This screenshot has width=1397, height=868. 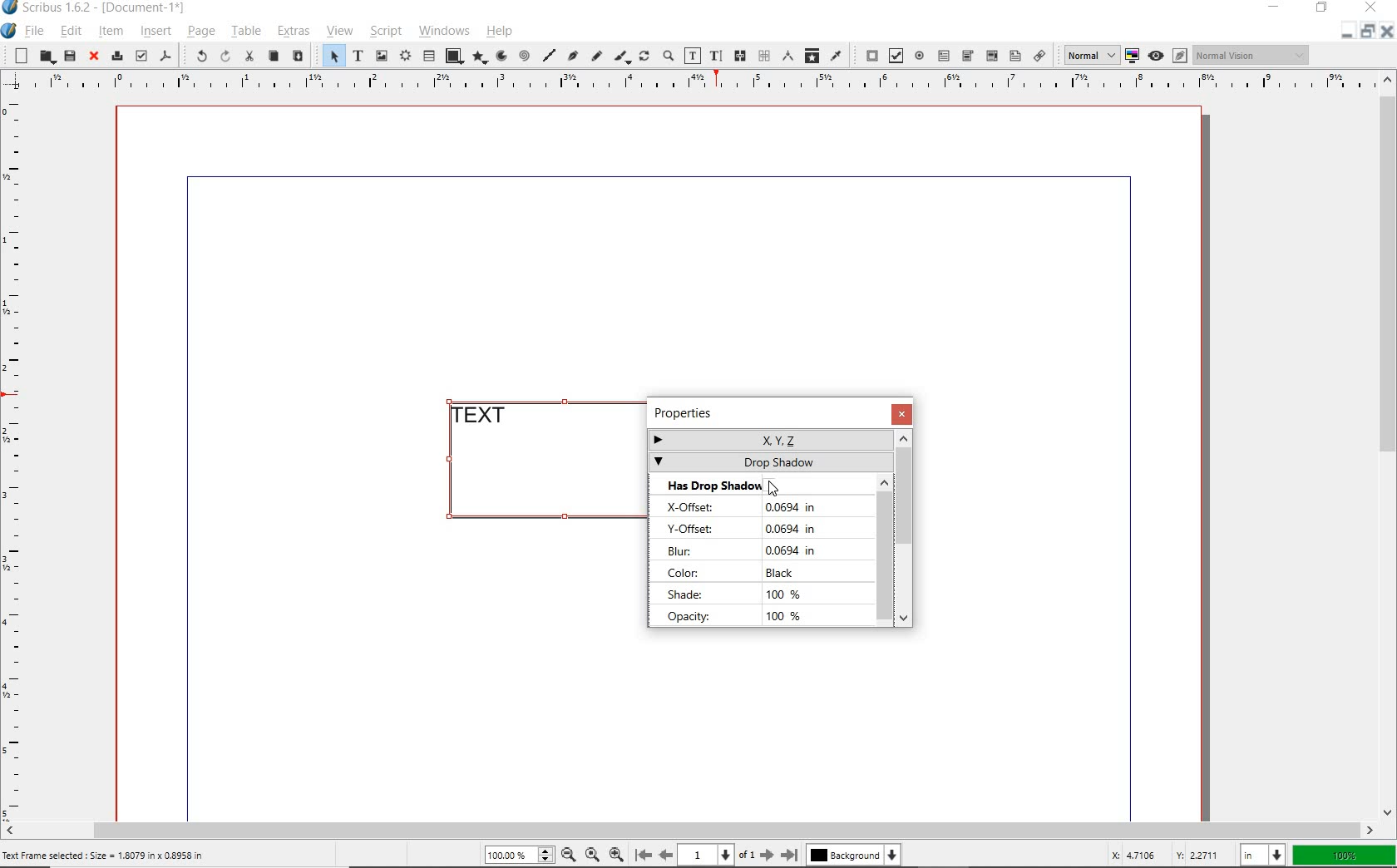 What do you see at coordinates (428, 57) in the screenshot?
I see `table` at bounding box center [428, 57].